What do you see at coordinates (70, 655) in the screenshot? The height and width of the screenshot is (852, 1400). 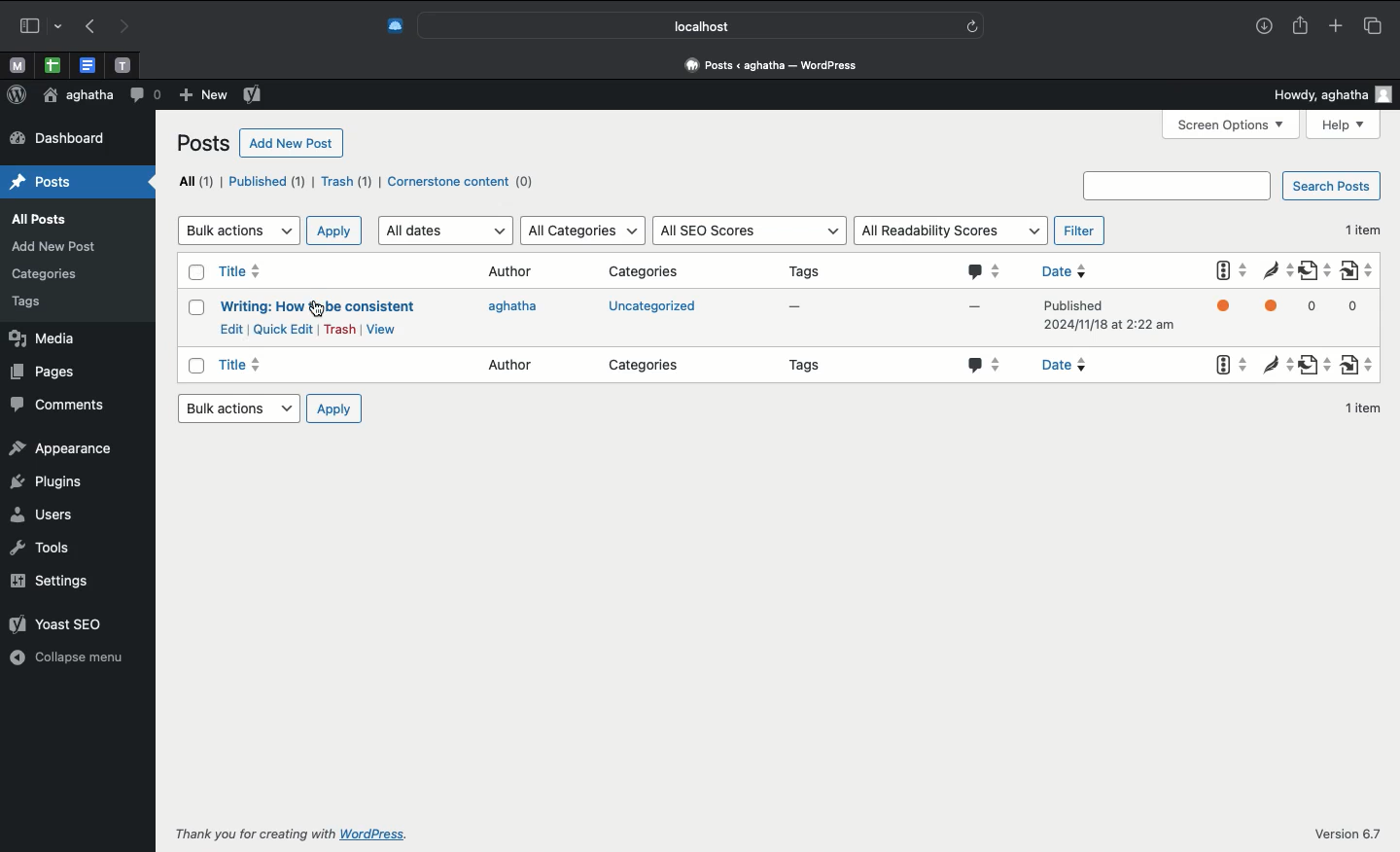 I see `Collapse menu` at bounding box center [70, 655].